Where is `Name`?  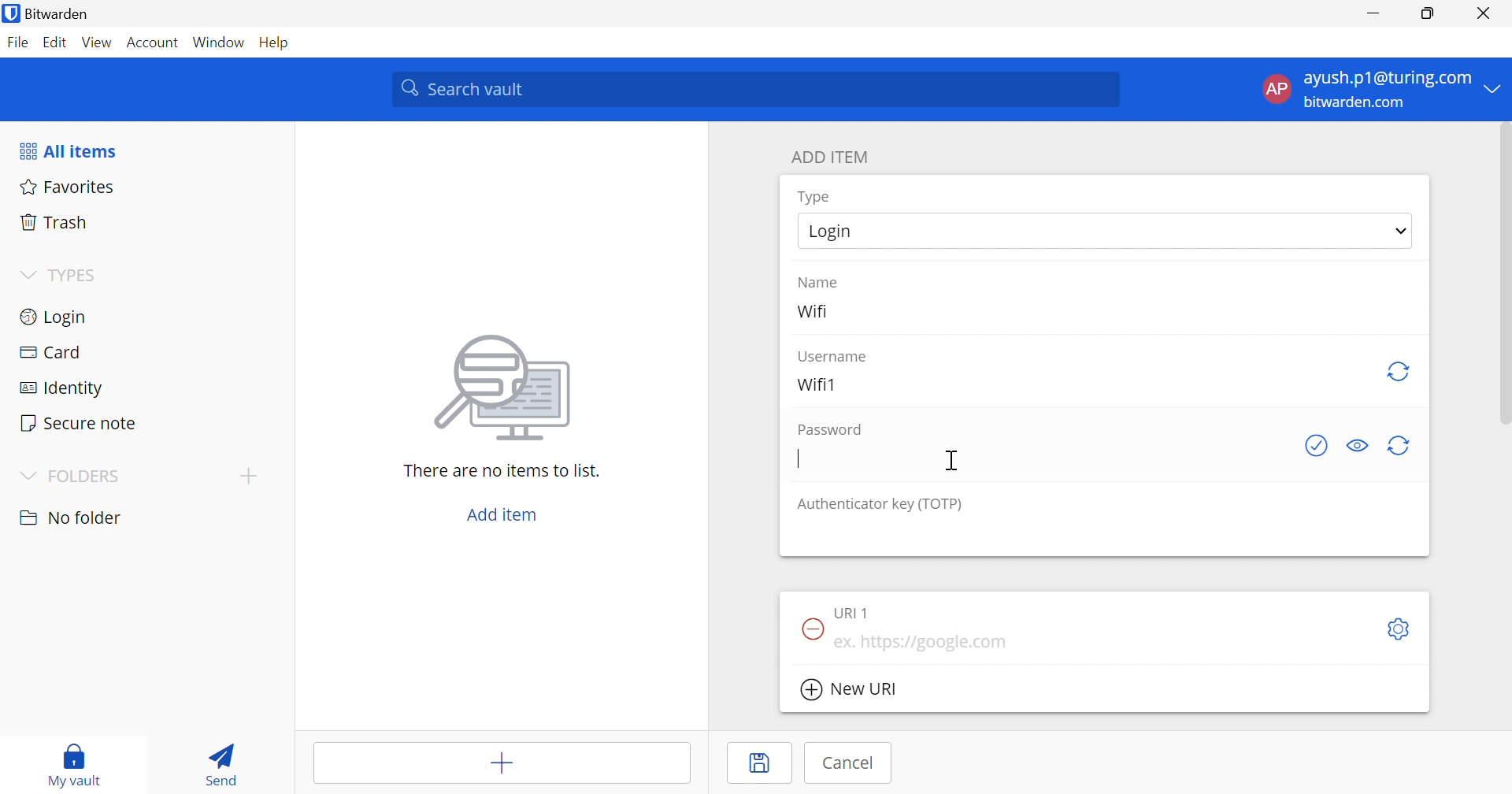
Name is located at coordinates (817, 283).